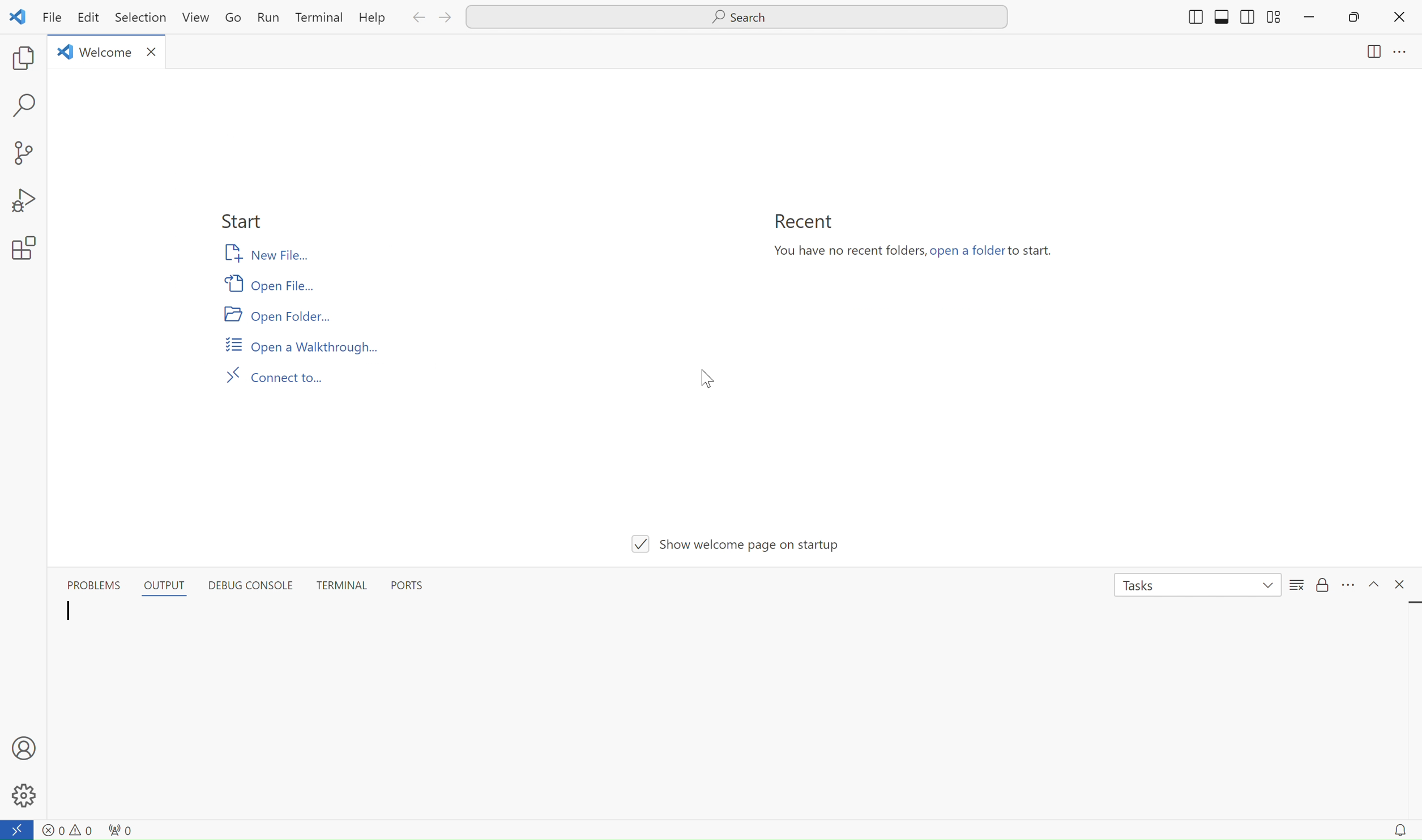 The image size is (1422, 840). What do you see at coordinates (61, 55) in the screenshot?
I see `logo` at bounding box center [61, 55].